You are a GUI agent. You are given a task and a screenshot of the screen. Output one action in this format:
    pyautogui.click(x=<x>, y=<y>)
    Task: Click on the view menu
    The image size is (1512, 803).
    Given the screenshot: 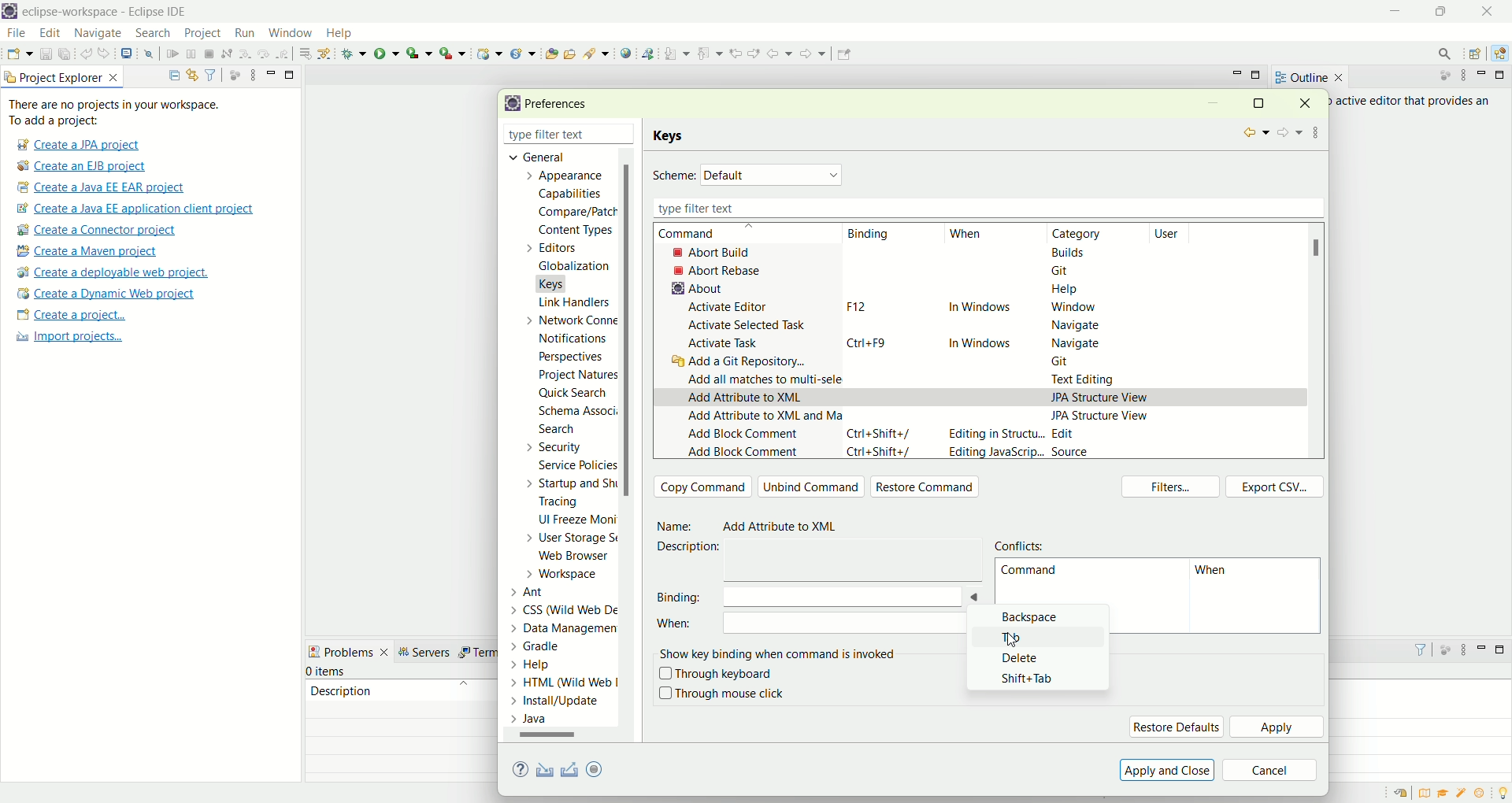 What is the action you would take?
    pyautogui.click(x=1317, y=130)
    